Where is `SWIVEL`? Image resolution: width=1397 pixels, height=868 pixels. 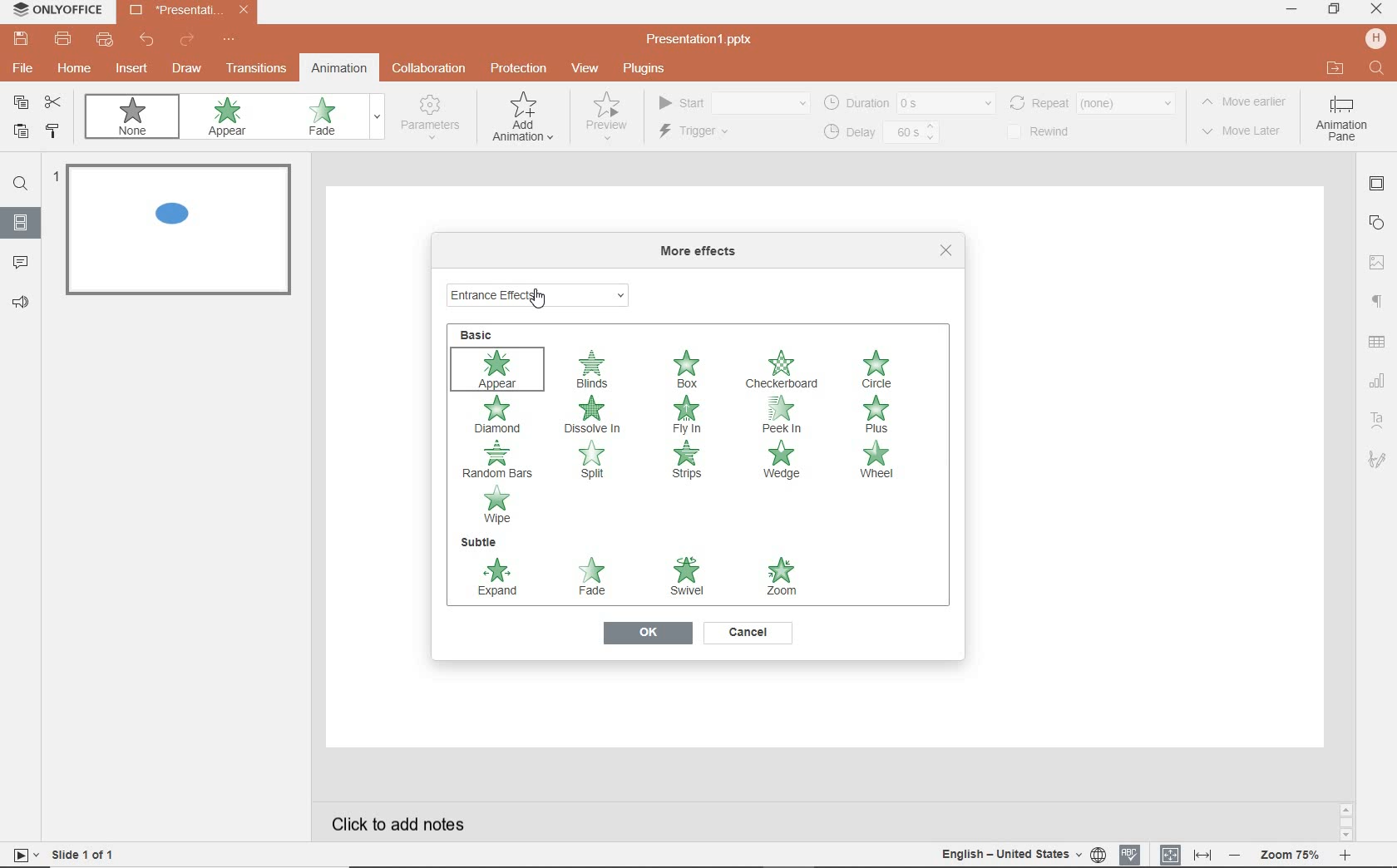 SWIVEL is located at coordinates (687, 577).